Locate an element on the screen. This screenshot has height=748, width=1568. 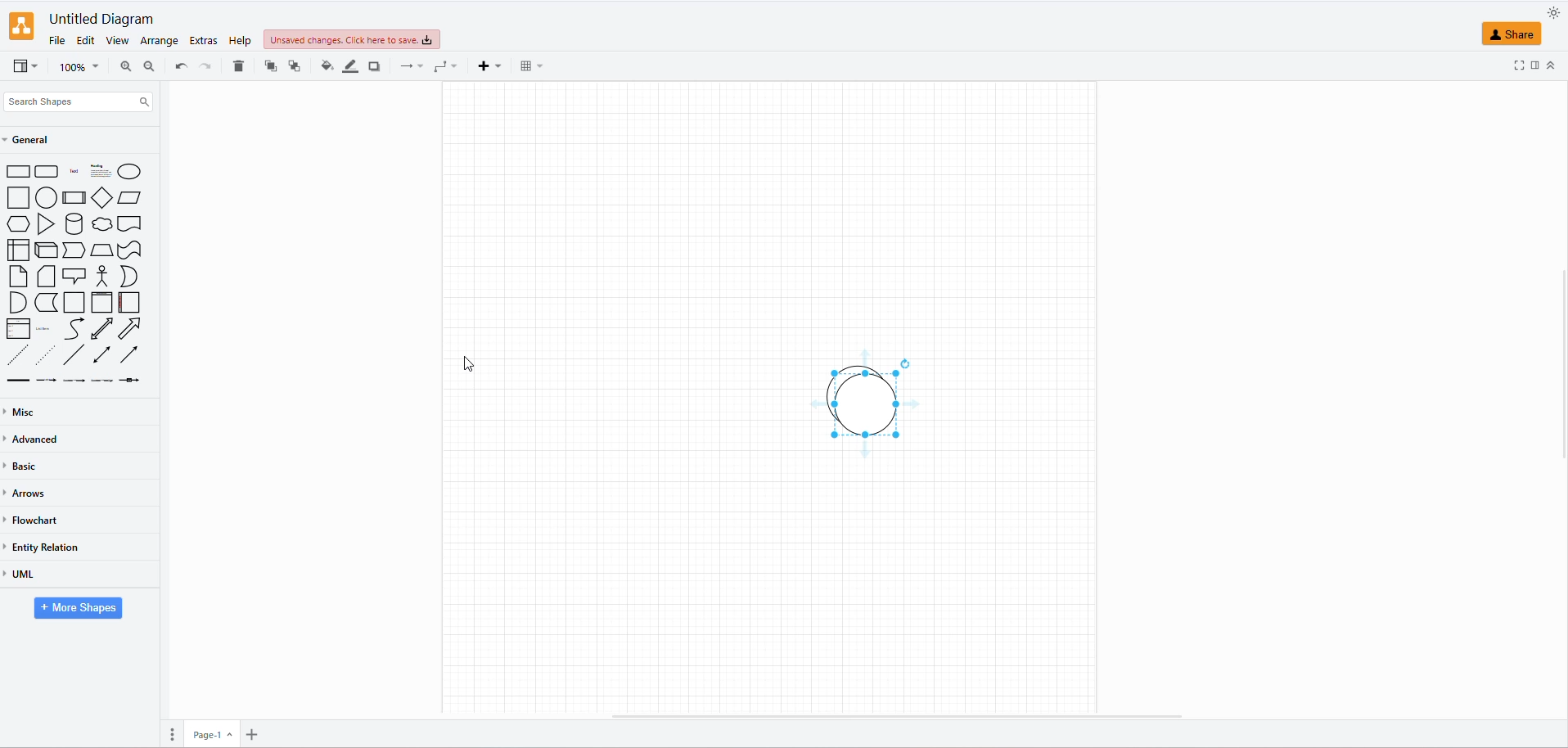
SEARCH is located at coordinates (75, 104).